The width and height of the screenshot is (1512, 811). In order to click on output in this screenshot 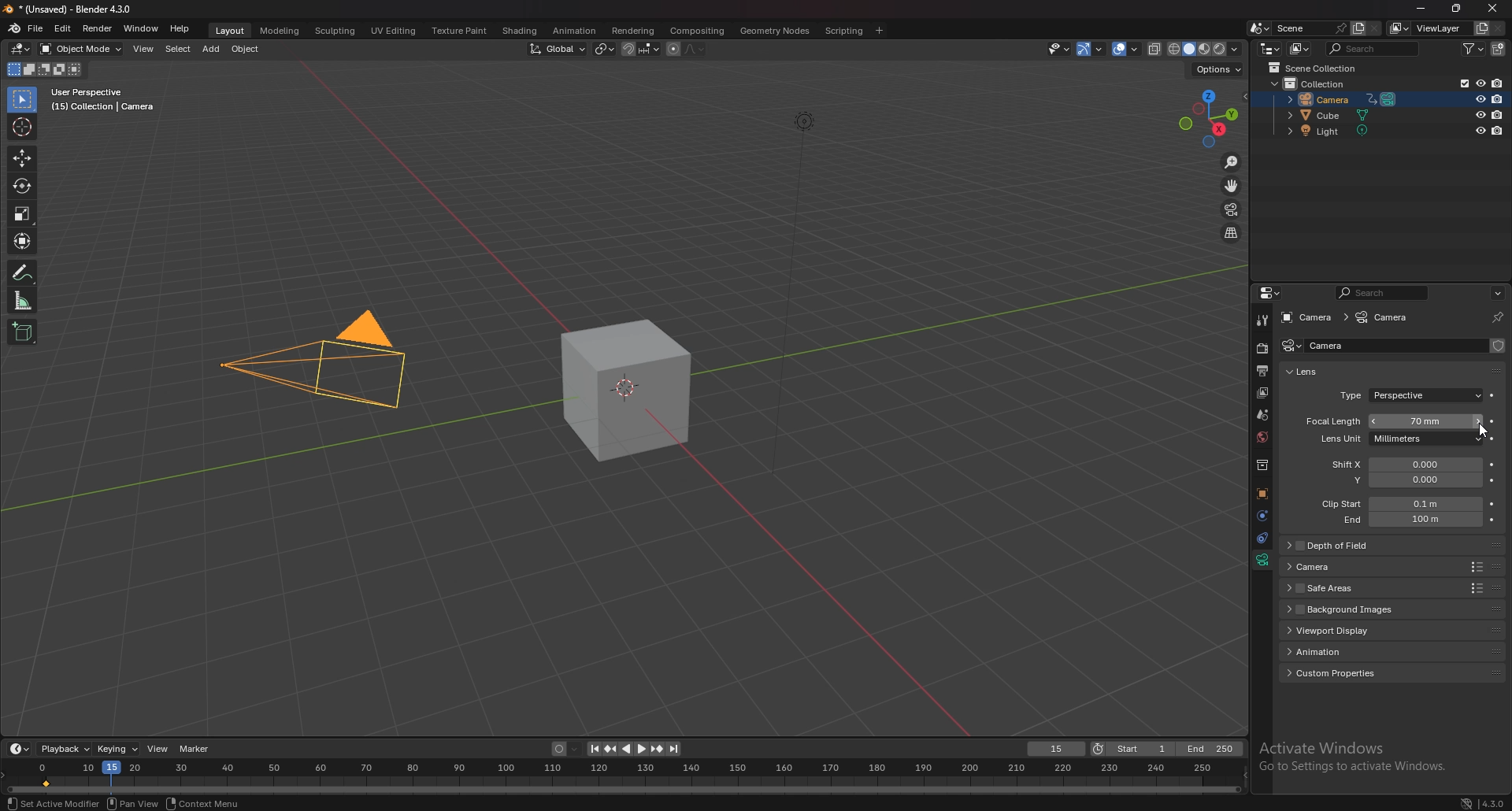, I will do `click(1263, 370)`.